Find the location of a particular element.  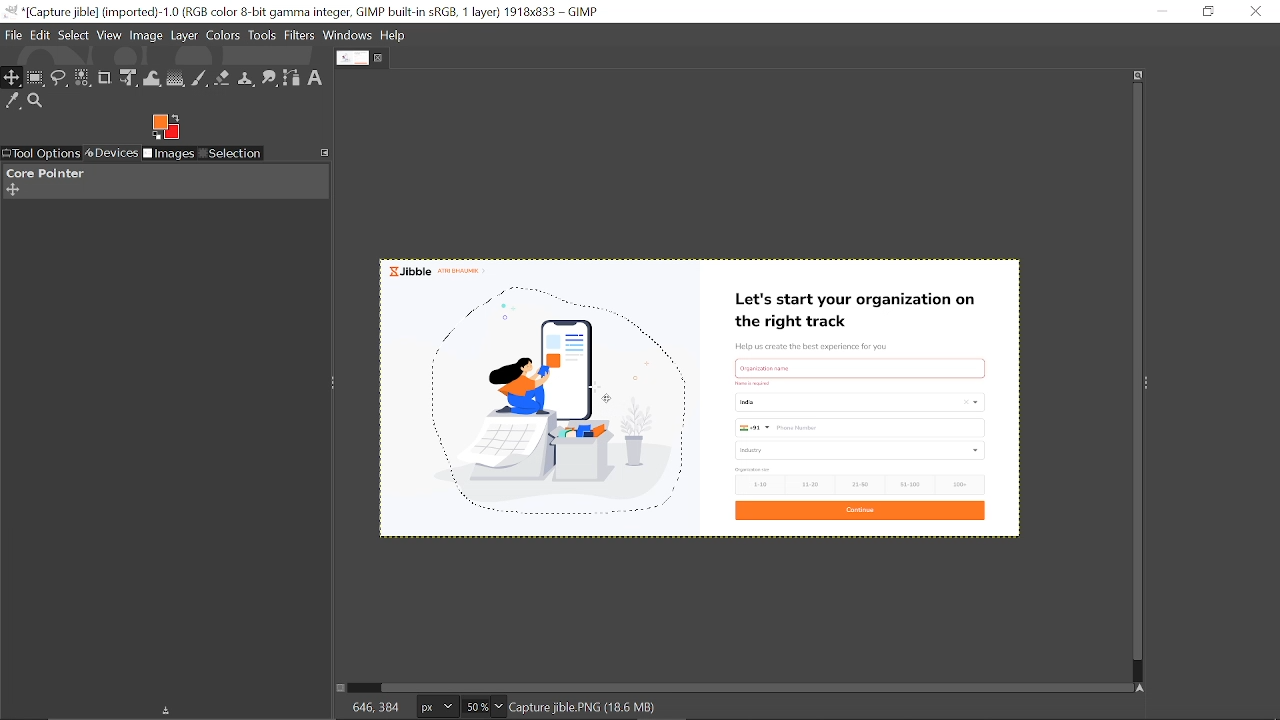

Select is located at coordinates (75, 36).